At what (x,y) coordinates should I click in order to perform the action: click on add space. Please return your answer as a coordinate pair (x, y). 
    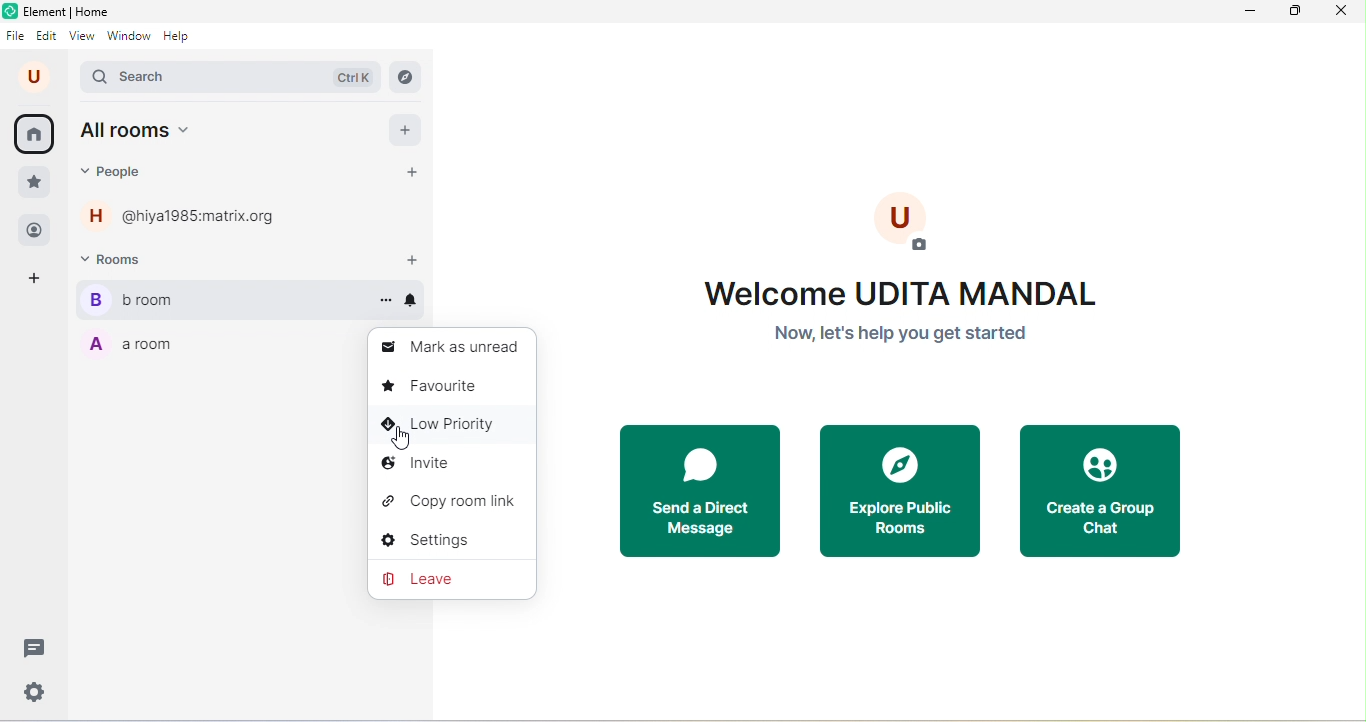
    Looking at the image, I should click on (34, 277).